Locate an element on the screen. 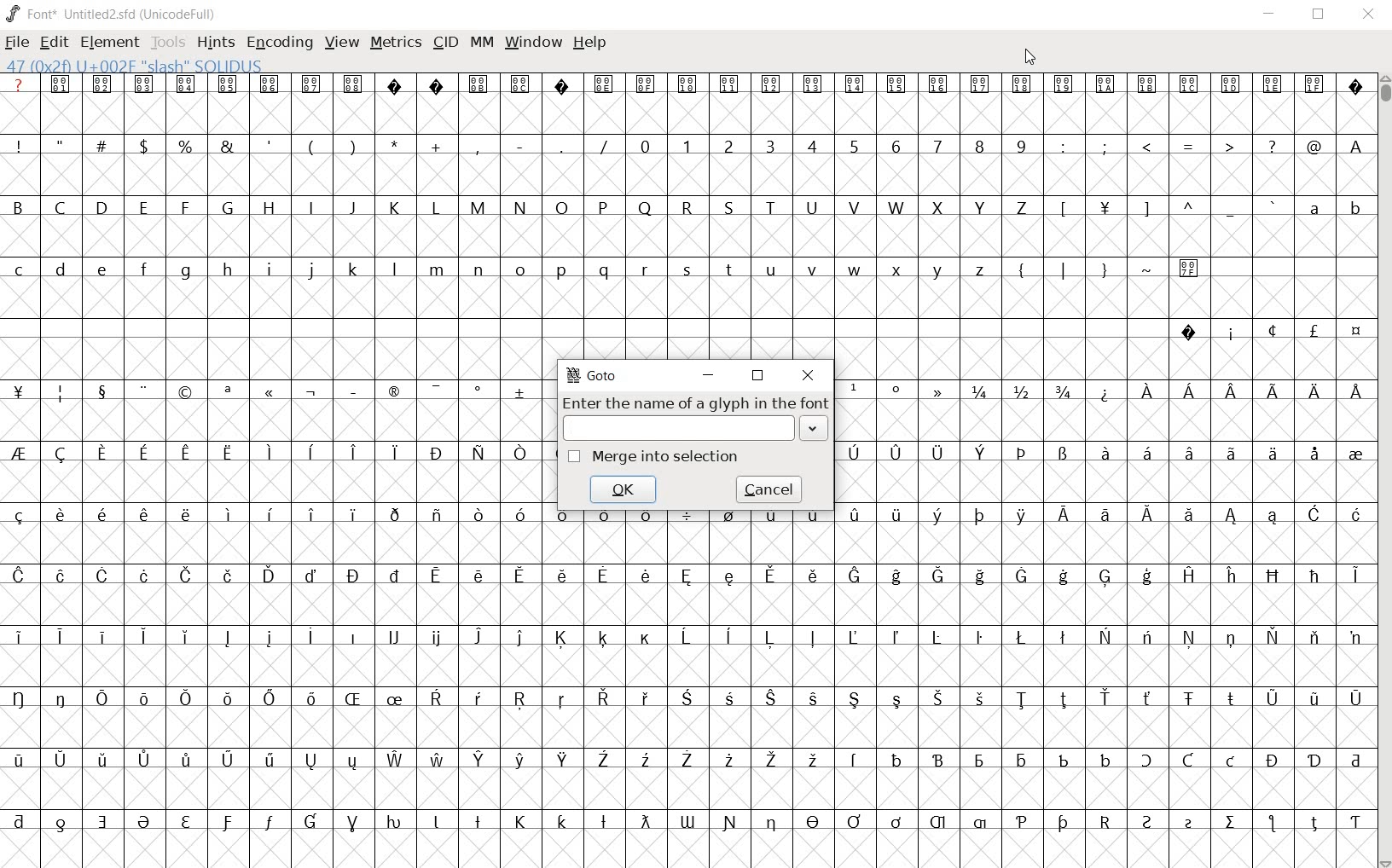  FILE is located at coordinates (19, 43).